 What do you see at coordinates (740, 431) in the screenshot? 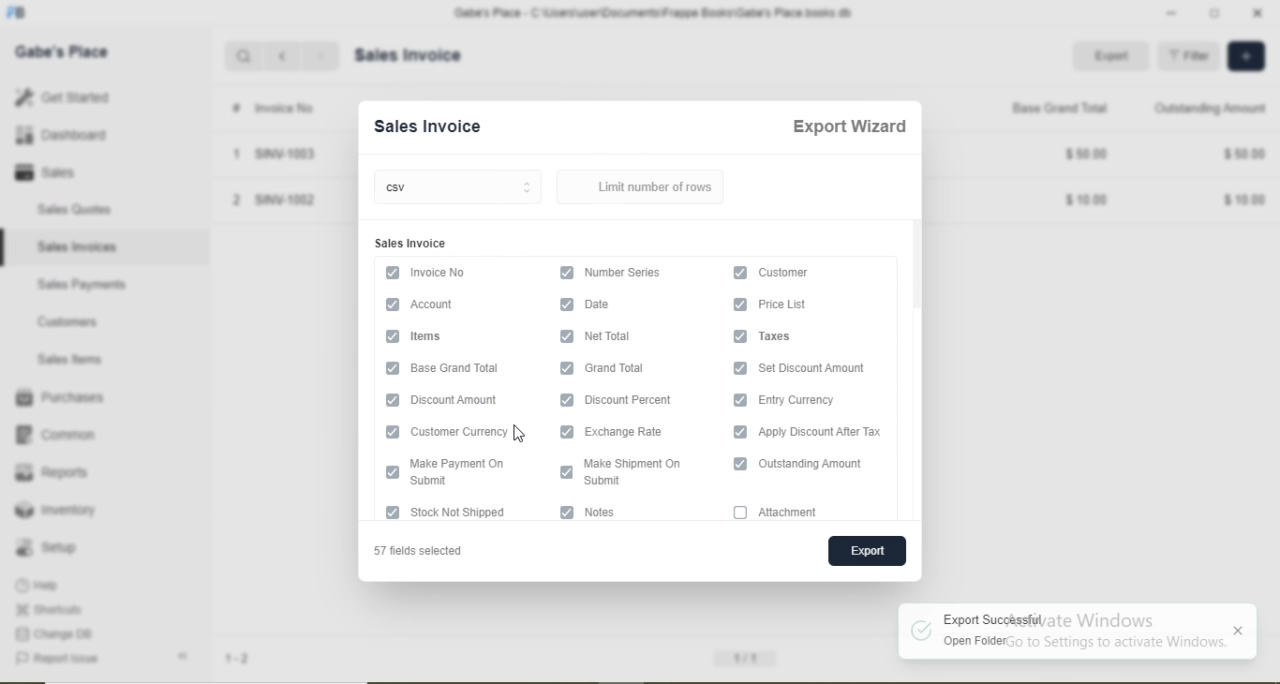
I see `checkbox` at bounding box center [740, 431].